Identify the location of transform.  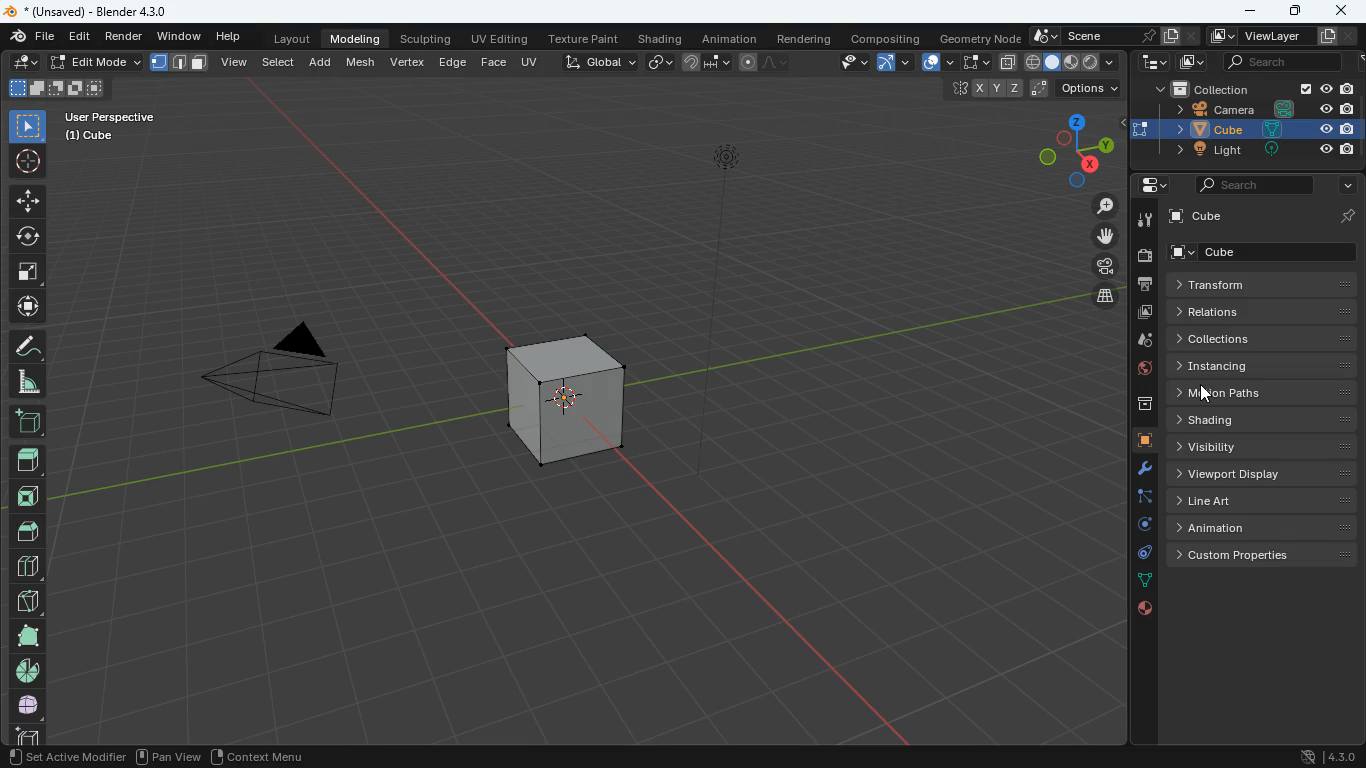
(1263, 285).